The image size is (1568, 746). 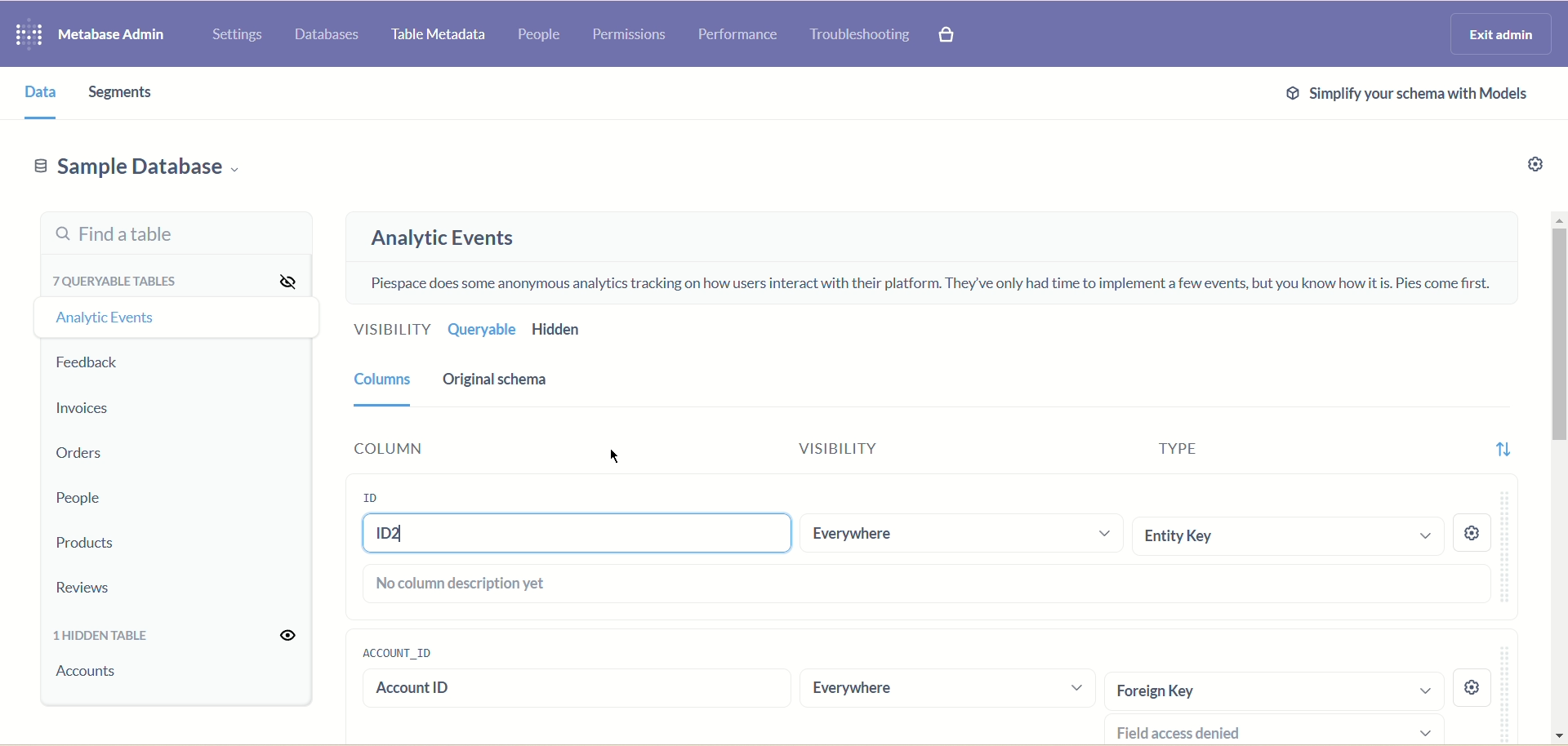 What do you see at coordinates (74, 498) in the screenshot?
I see `People` at bounding box center [74, 498].